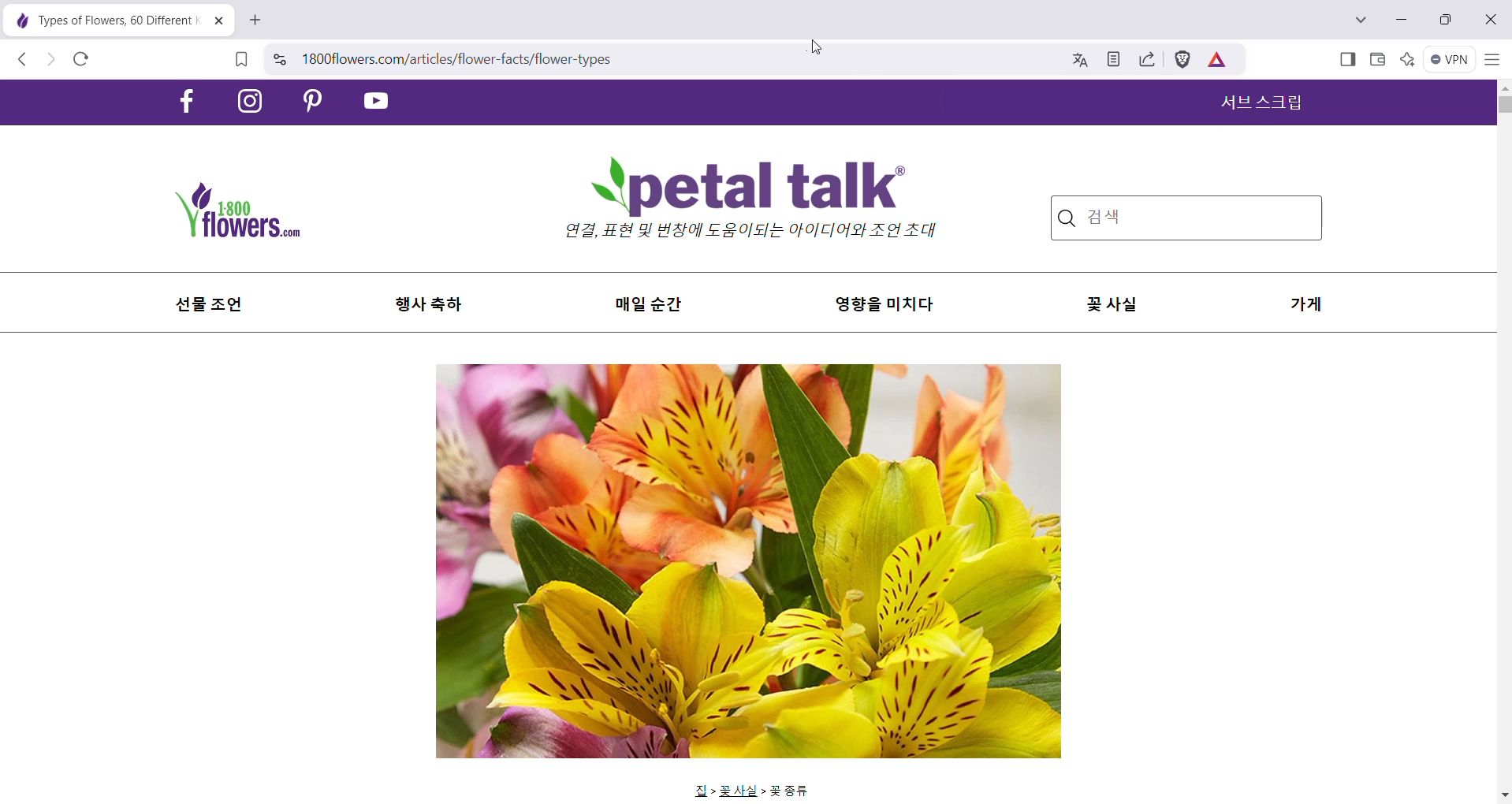  Describe the element at coordinates (256, 20) in the screenshot. I see `New Tab` at that location.